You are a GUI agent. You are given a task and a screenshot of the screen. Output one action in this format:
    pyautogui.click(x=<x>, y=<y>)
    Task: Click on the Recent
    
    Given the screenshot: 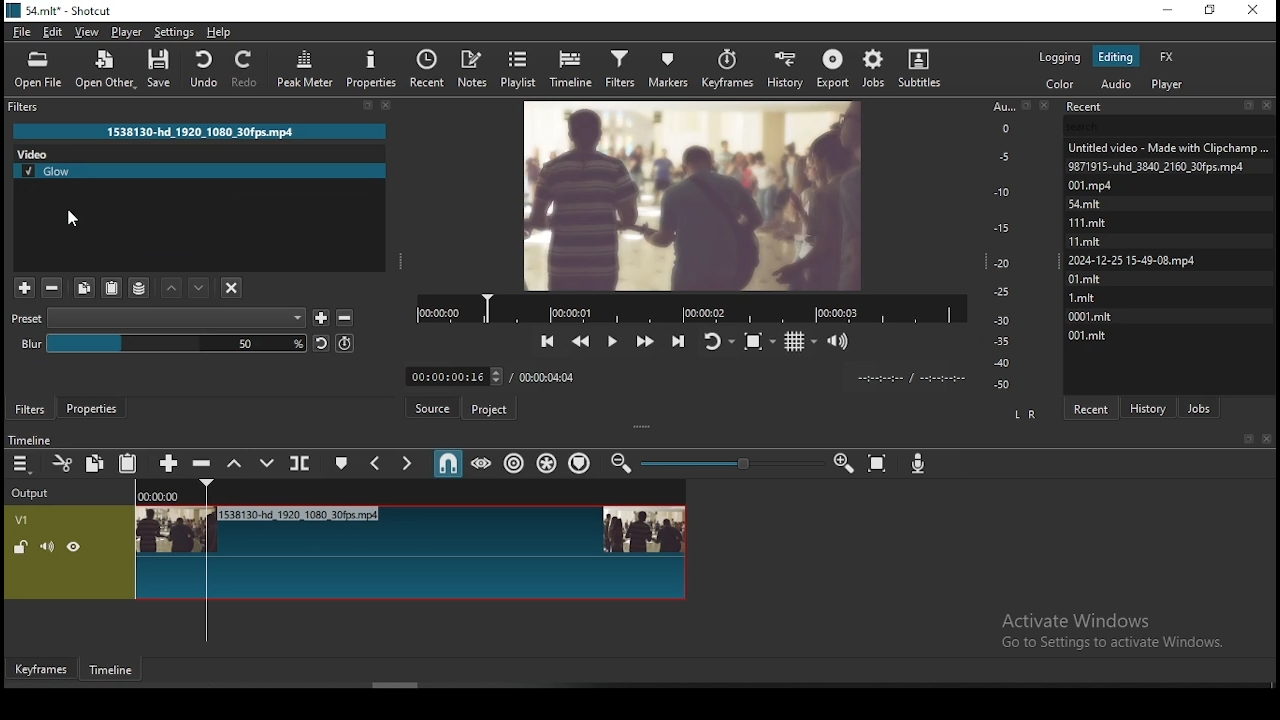 What is the action you would take?
    pyautogui.click(x=1169, y=107)
    